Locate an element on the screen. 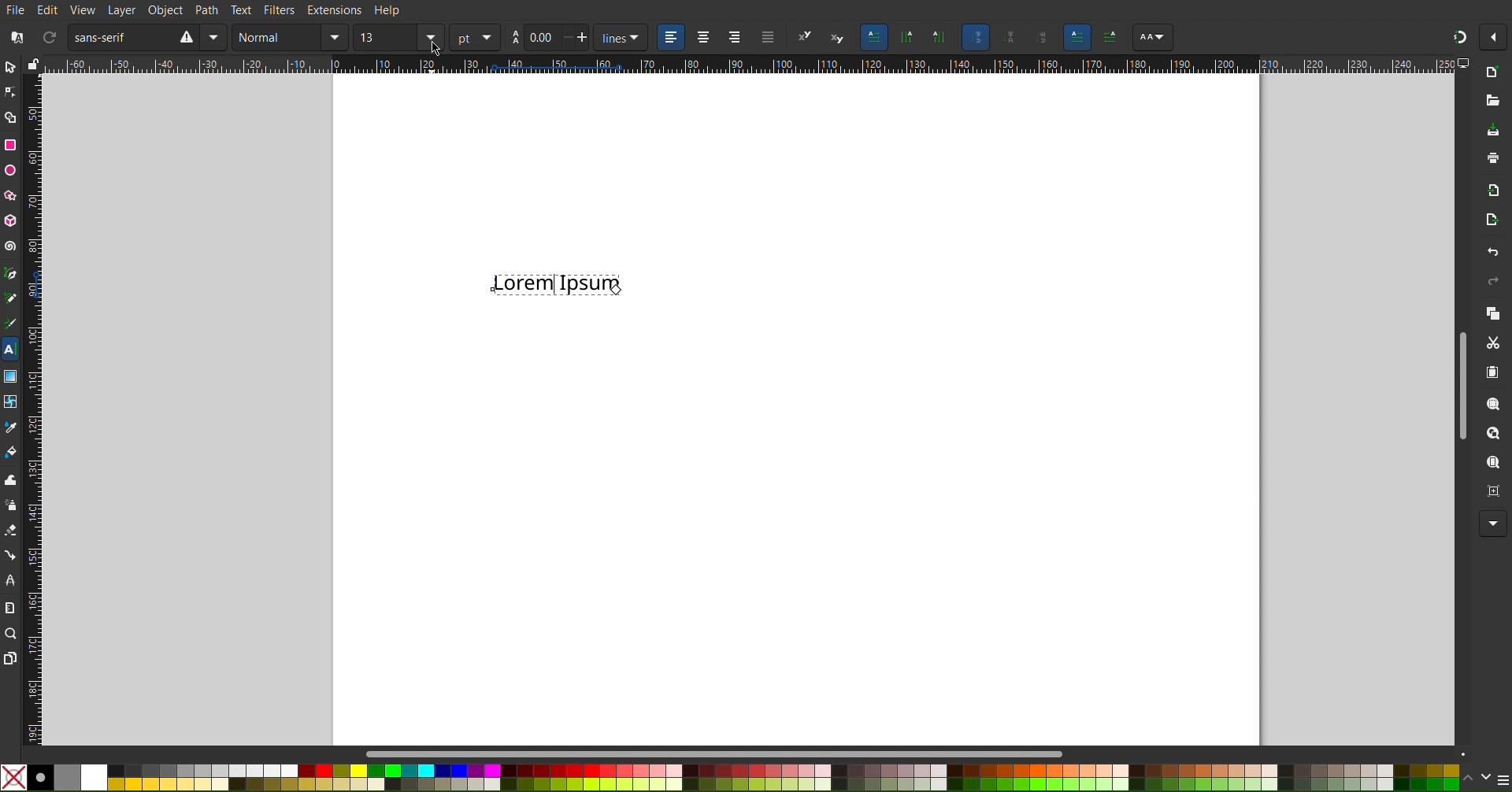 The image size is (1512, 792). center align is located at coordinates (703, 37).